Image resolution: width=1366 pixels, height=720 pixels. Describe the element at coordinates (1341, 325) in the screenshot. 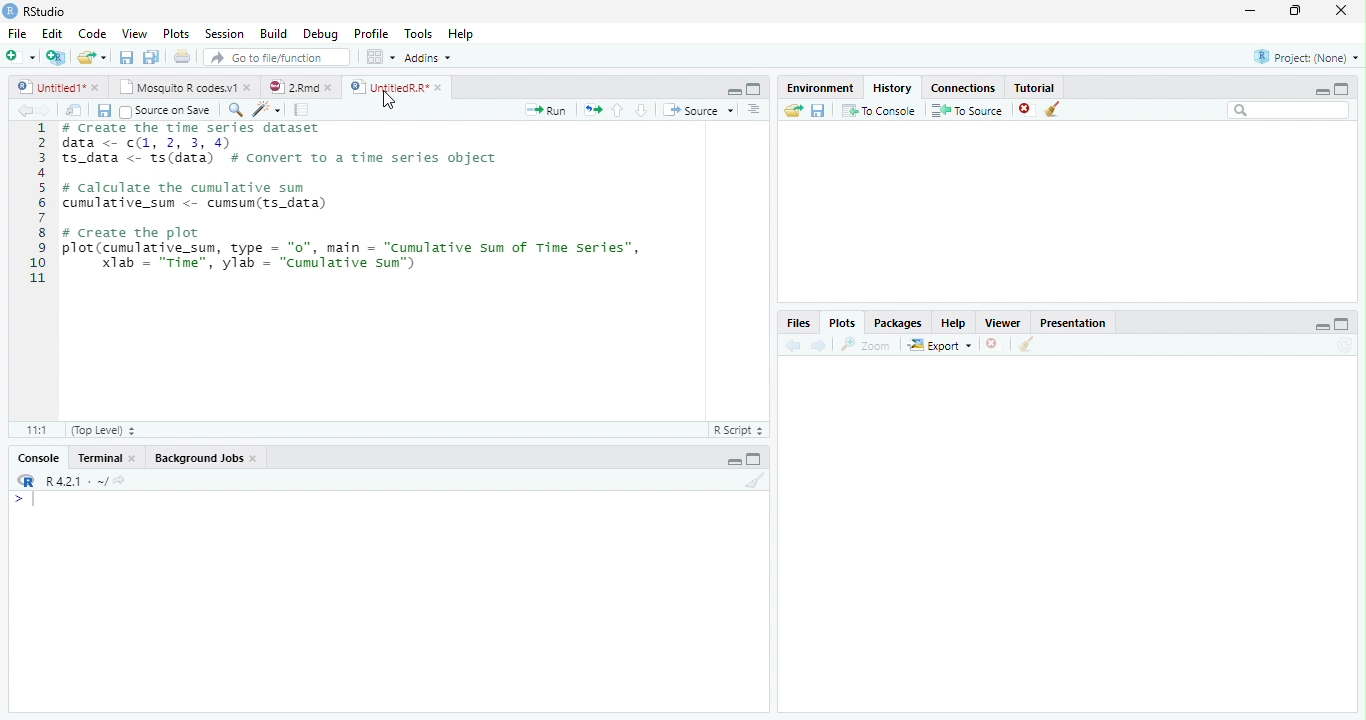

I see `Maximize` at that location.